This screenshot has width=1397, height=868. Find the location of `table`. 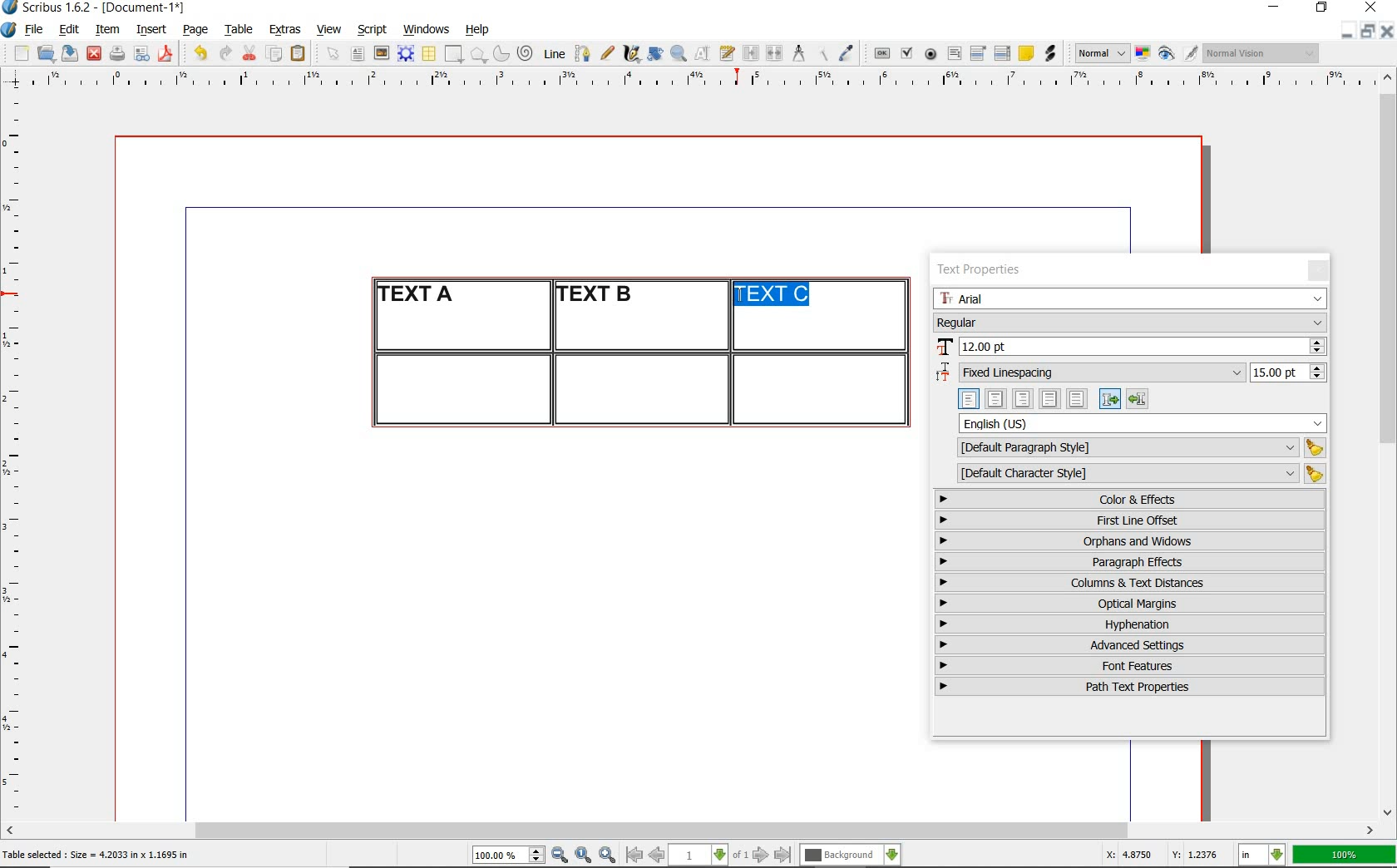

table is located at coordinates (430, 54).